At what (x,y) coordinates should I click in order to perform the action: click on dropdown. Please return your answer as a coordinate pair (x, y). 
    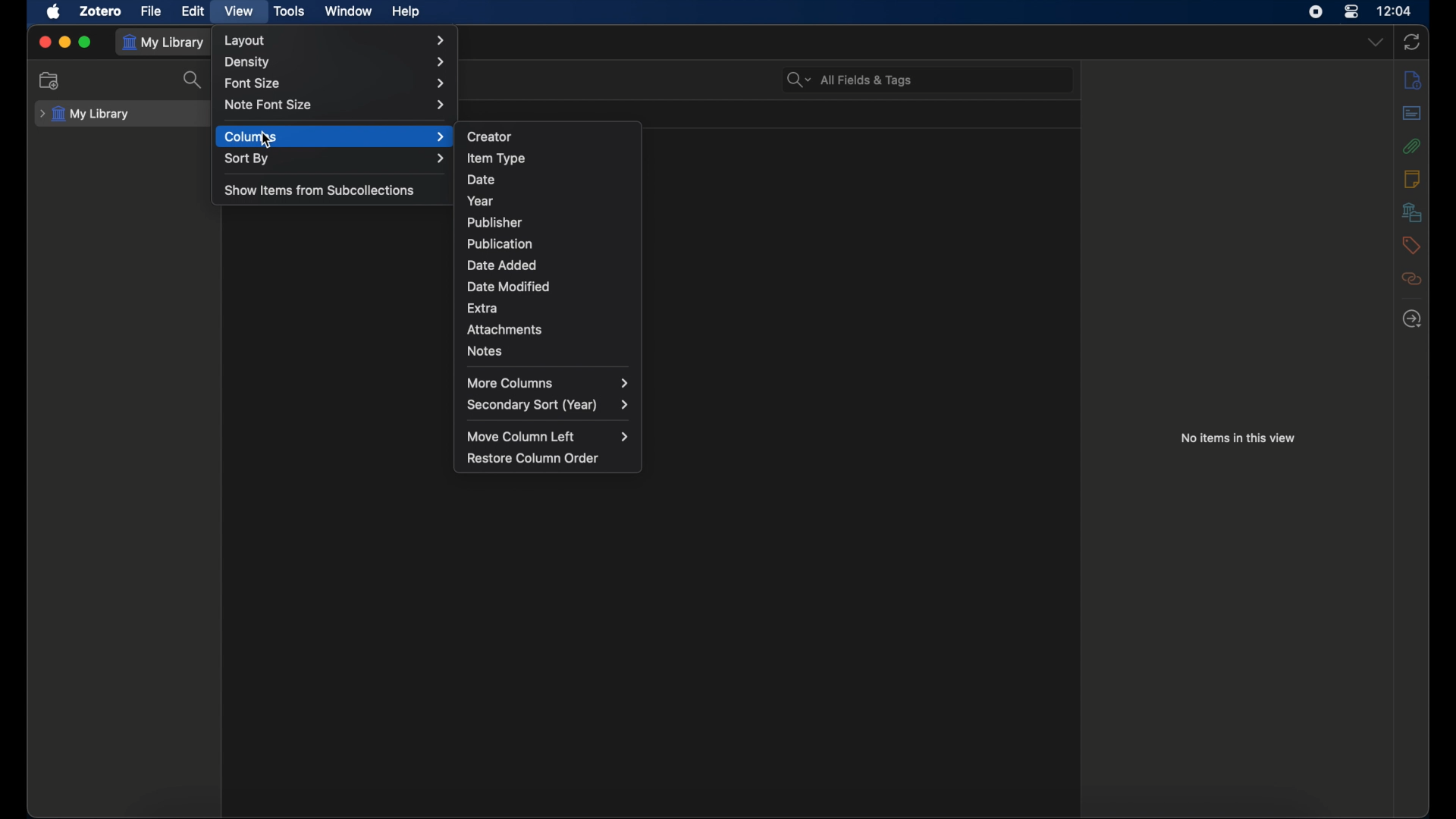
    Looking at the image, I should click on (1377, 41).